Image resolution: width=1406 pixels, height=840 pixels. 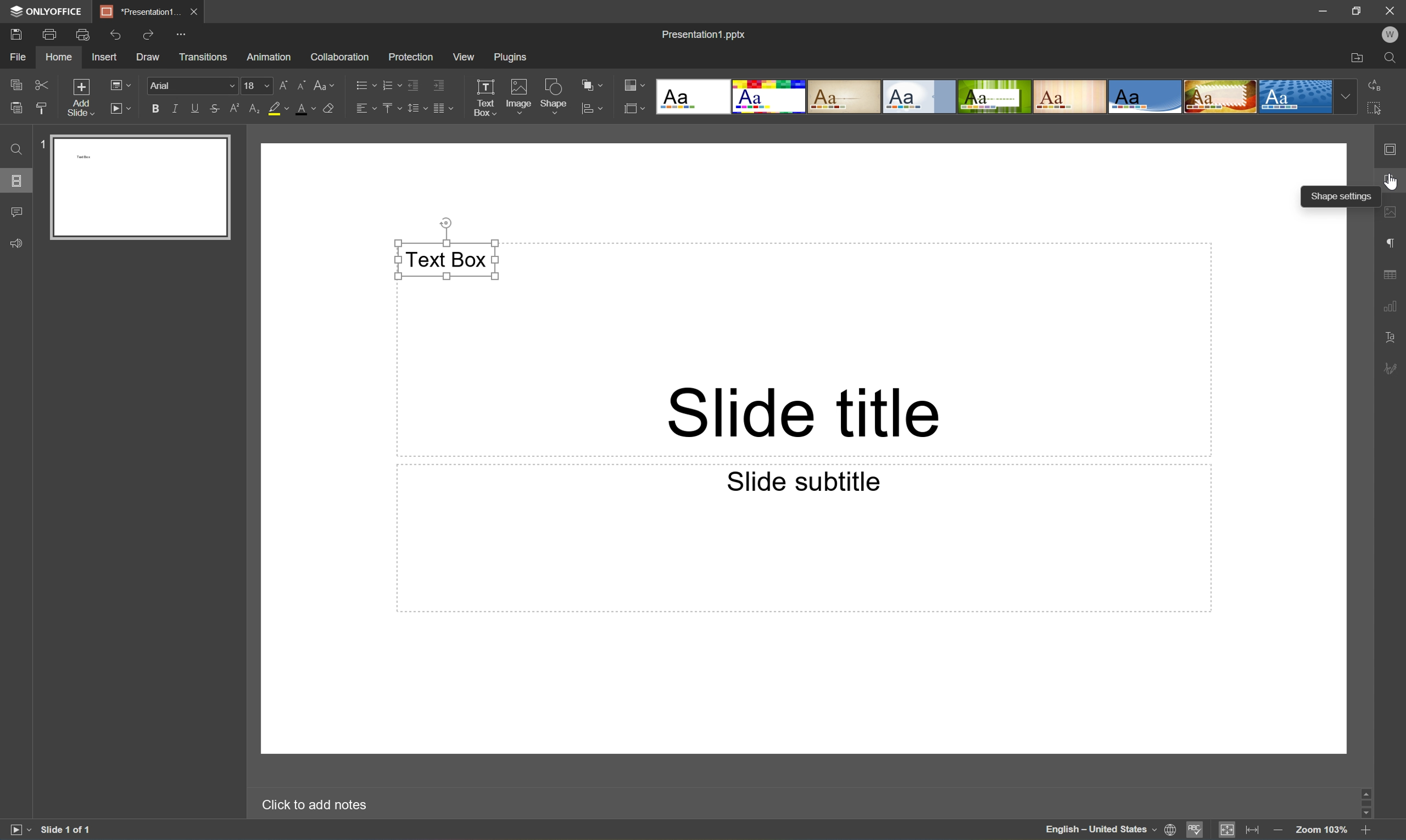 I want to click on Shape settings, so click(x=1392, y=181).